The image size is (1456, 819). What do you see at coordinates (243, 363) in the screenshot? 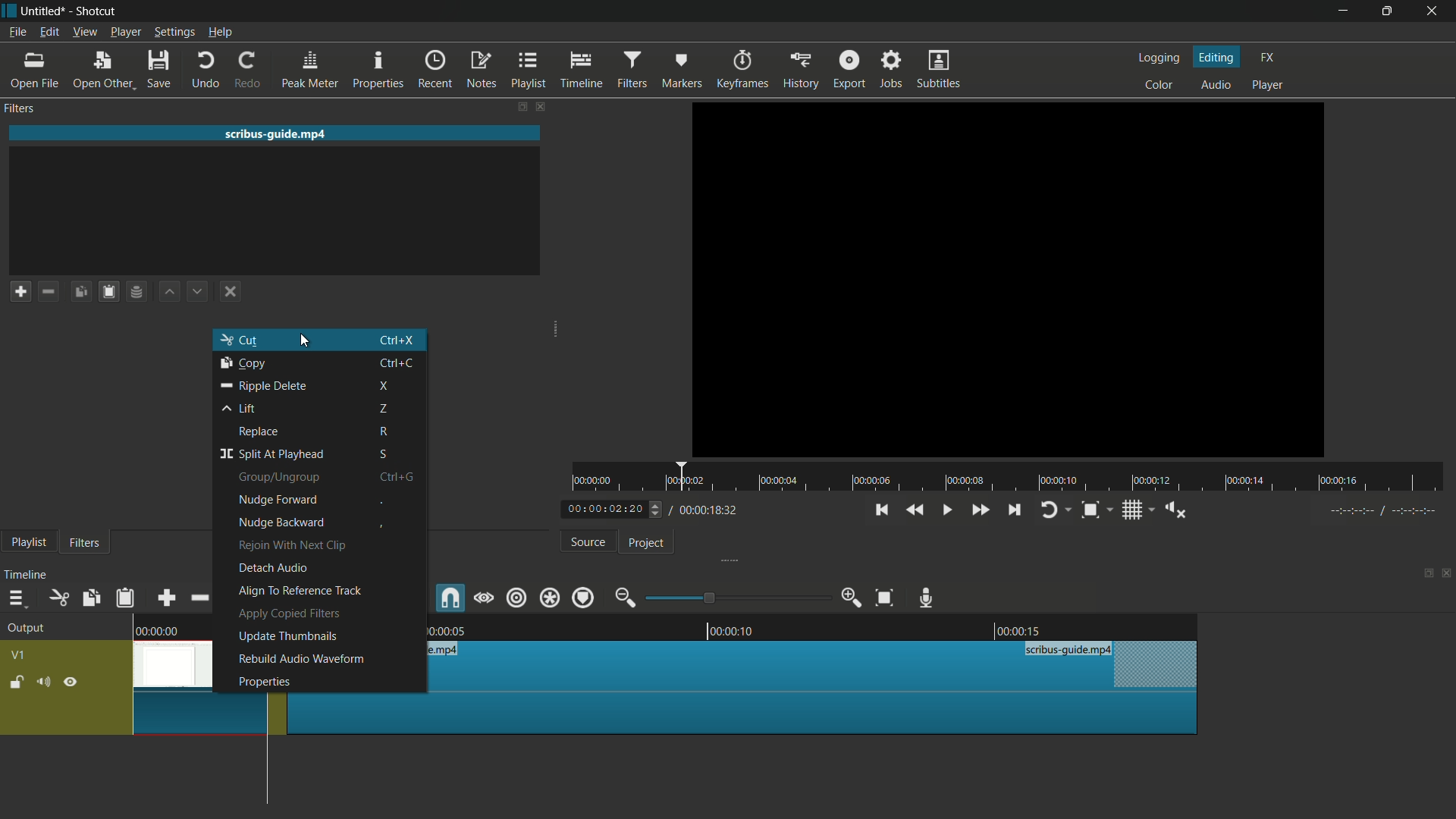
I see `copy` at bounding box center [243, 363].